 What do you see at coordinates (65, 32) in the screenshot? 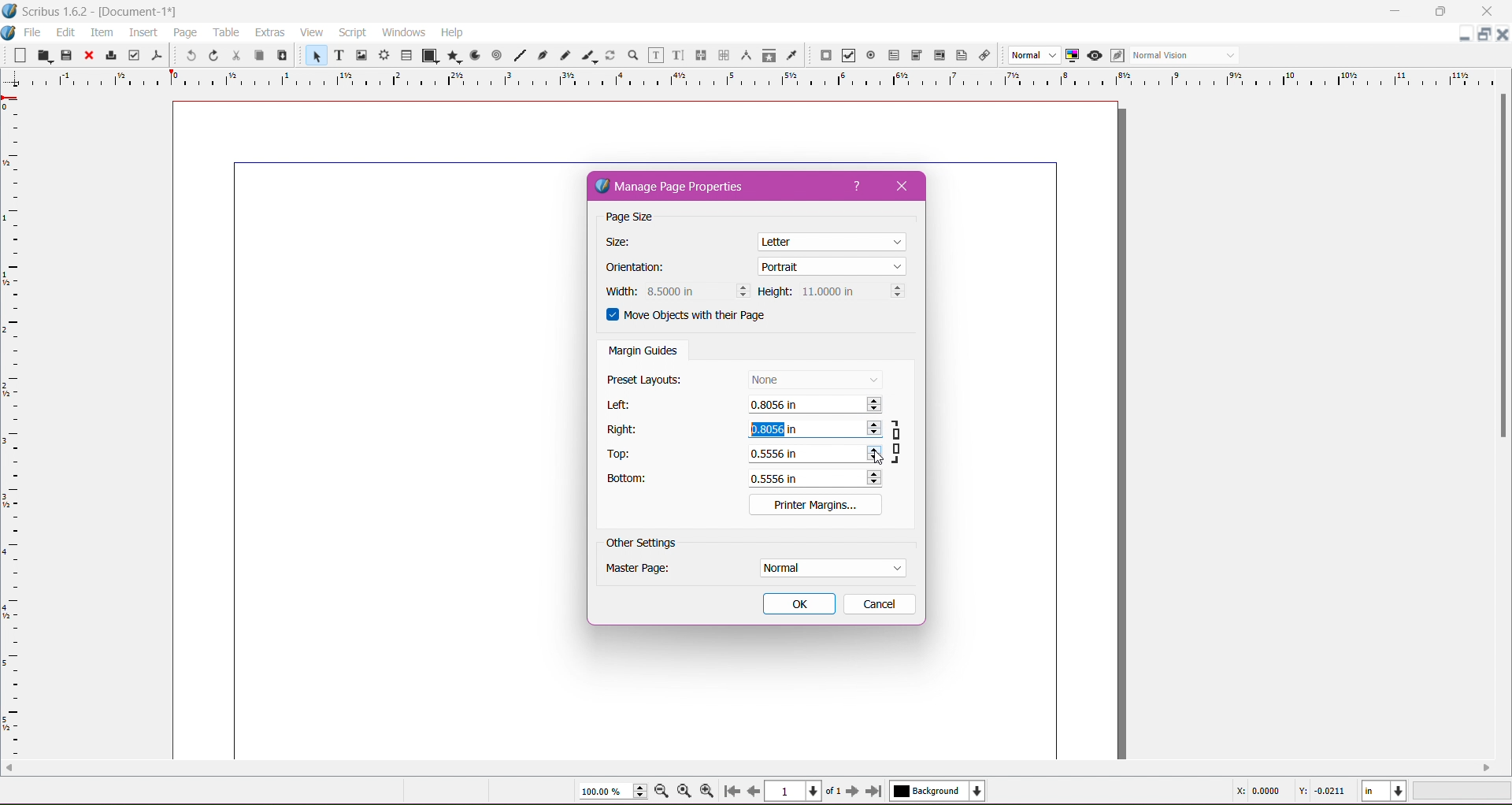
I see `Edit` at bounding box center [65, 32].